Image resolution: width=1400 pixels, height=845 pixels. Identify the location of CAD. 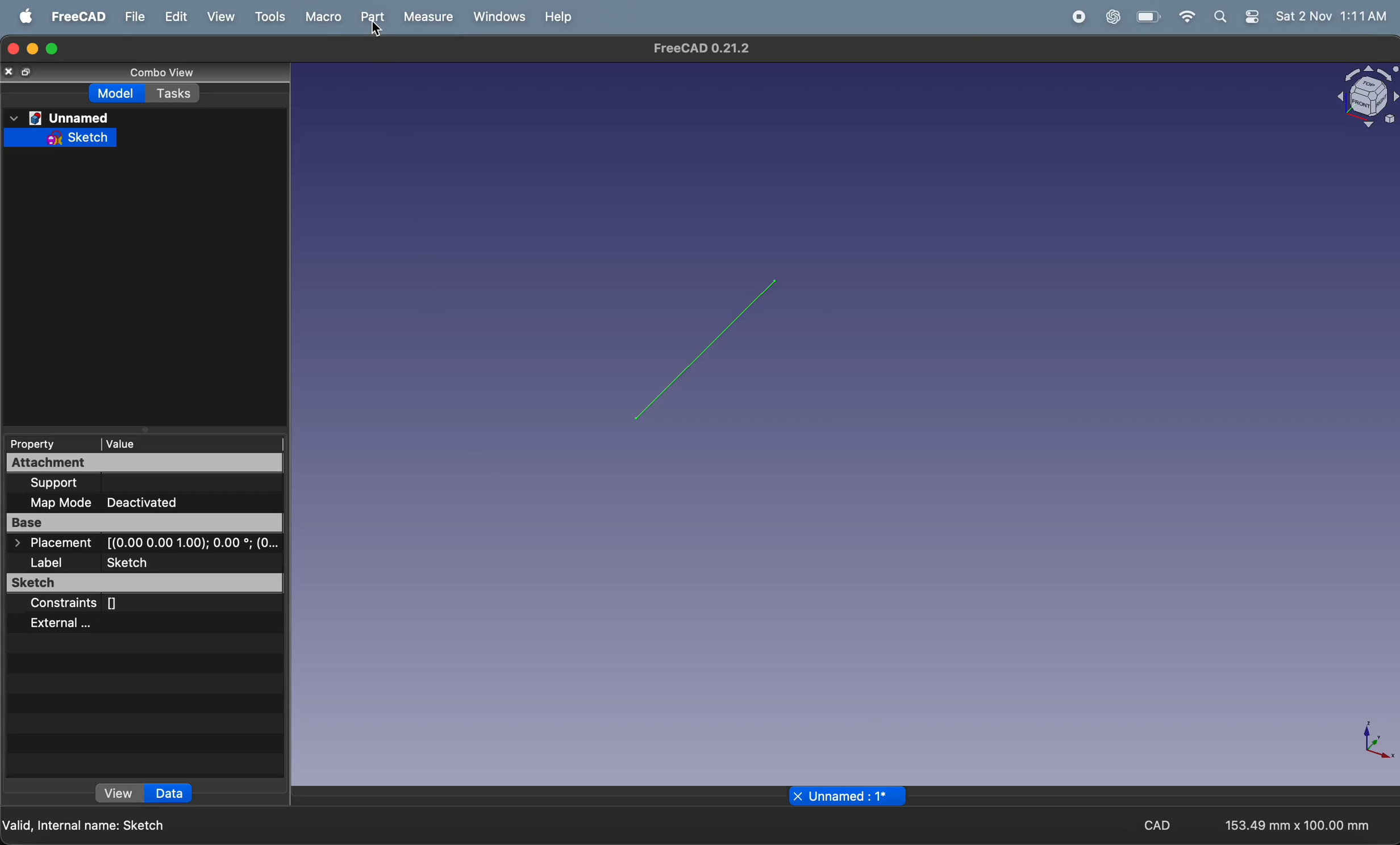
(1158, 826).